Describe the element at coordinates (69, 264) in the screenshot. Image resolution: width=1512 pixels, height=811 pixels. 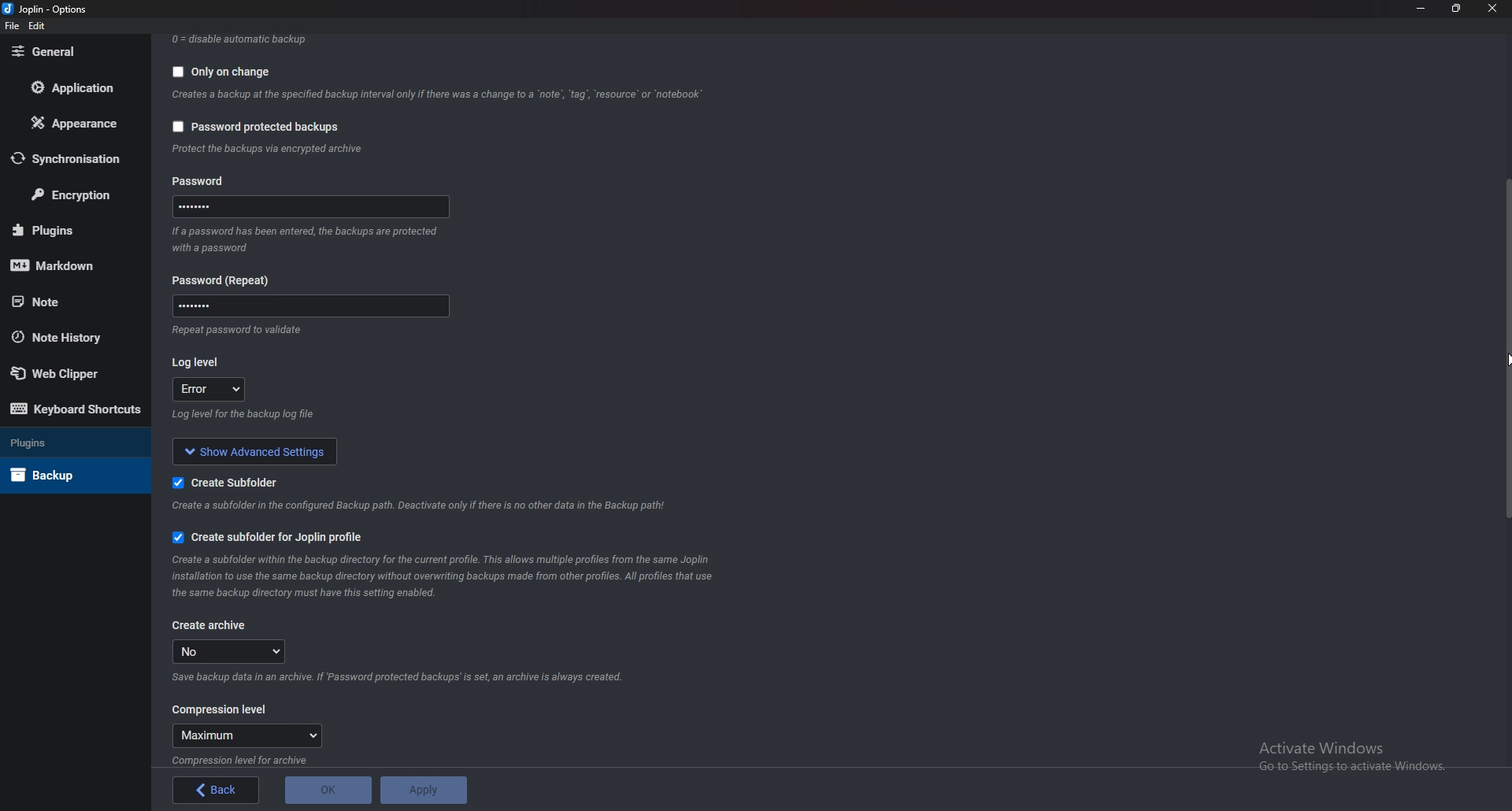
I see `markdown` at that location.